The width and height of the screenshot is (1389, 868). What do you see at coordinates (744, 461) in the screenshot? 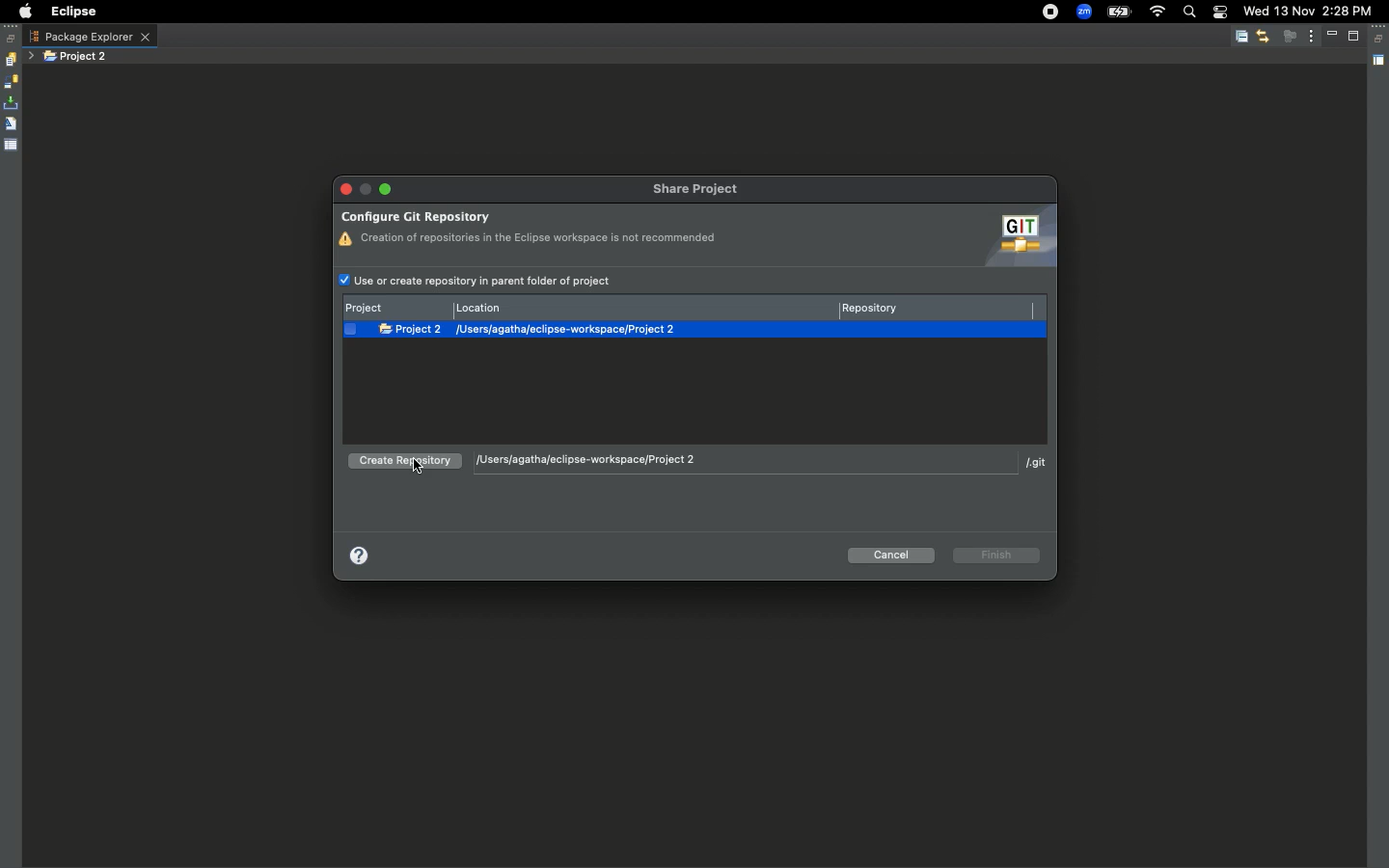
I see `/Users/agatha/eclipse-workspace/Project 2` at bounding box center [744, 461].